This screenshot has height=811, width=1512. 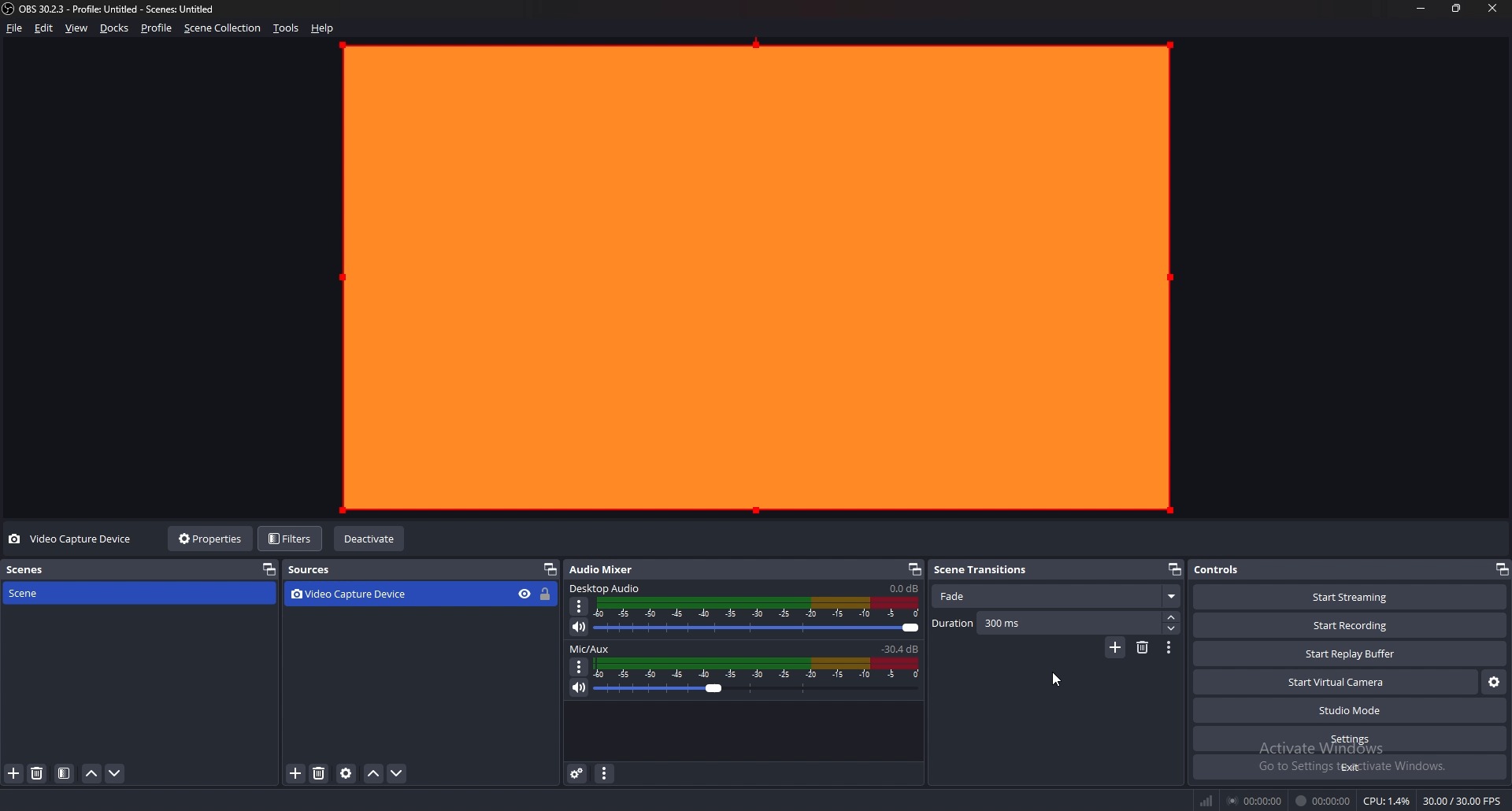 What do you see at coordinates (353, 595) in the screenshot?
I see `video capture device` at bounding box center [353, 595].